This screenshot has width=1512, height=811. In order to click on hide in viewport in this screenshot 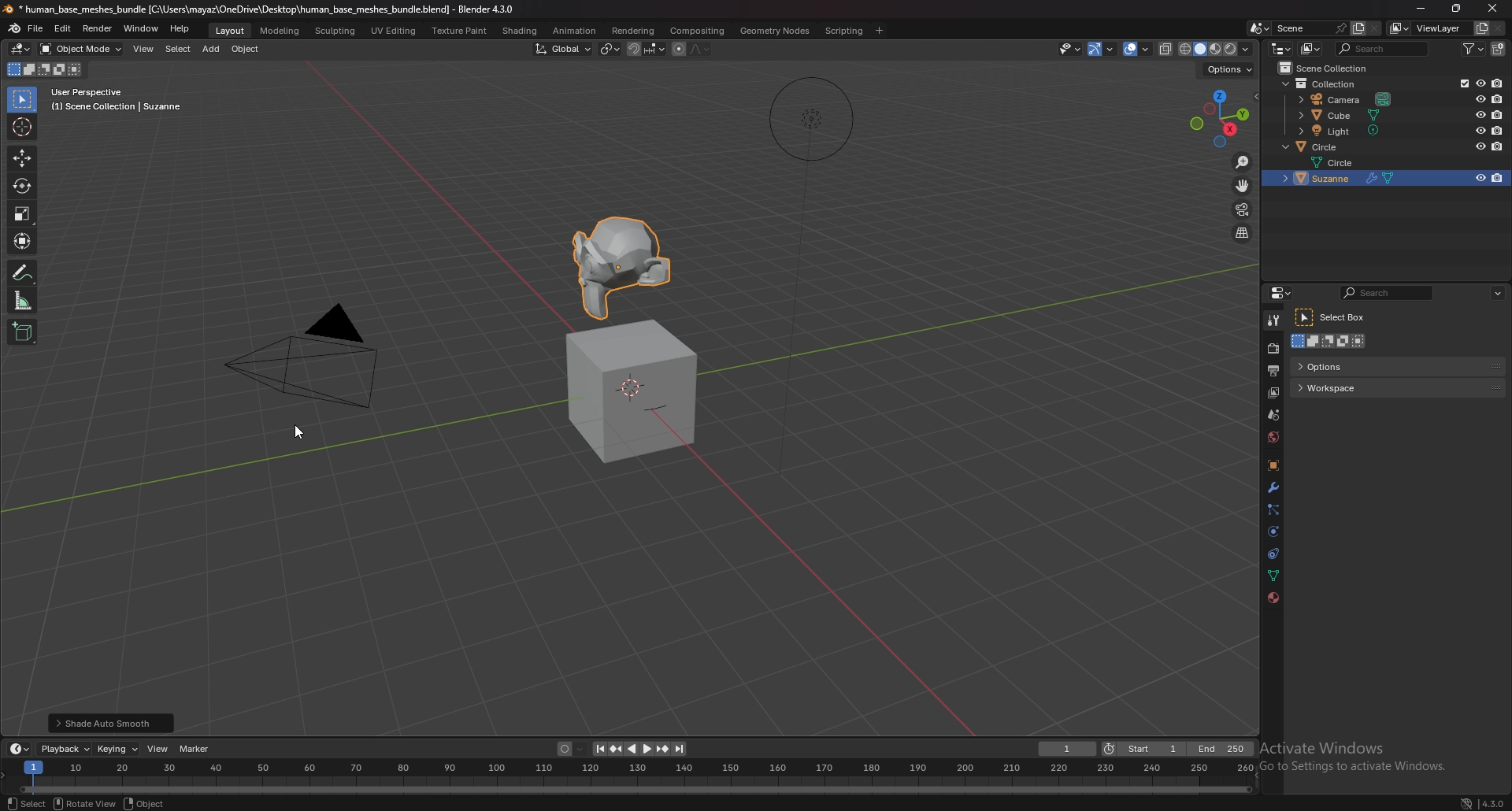, I will do `click(1480, 178)`.